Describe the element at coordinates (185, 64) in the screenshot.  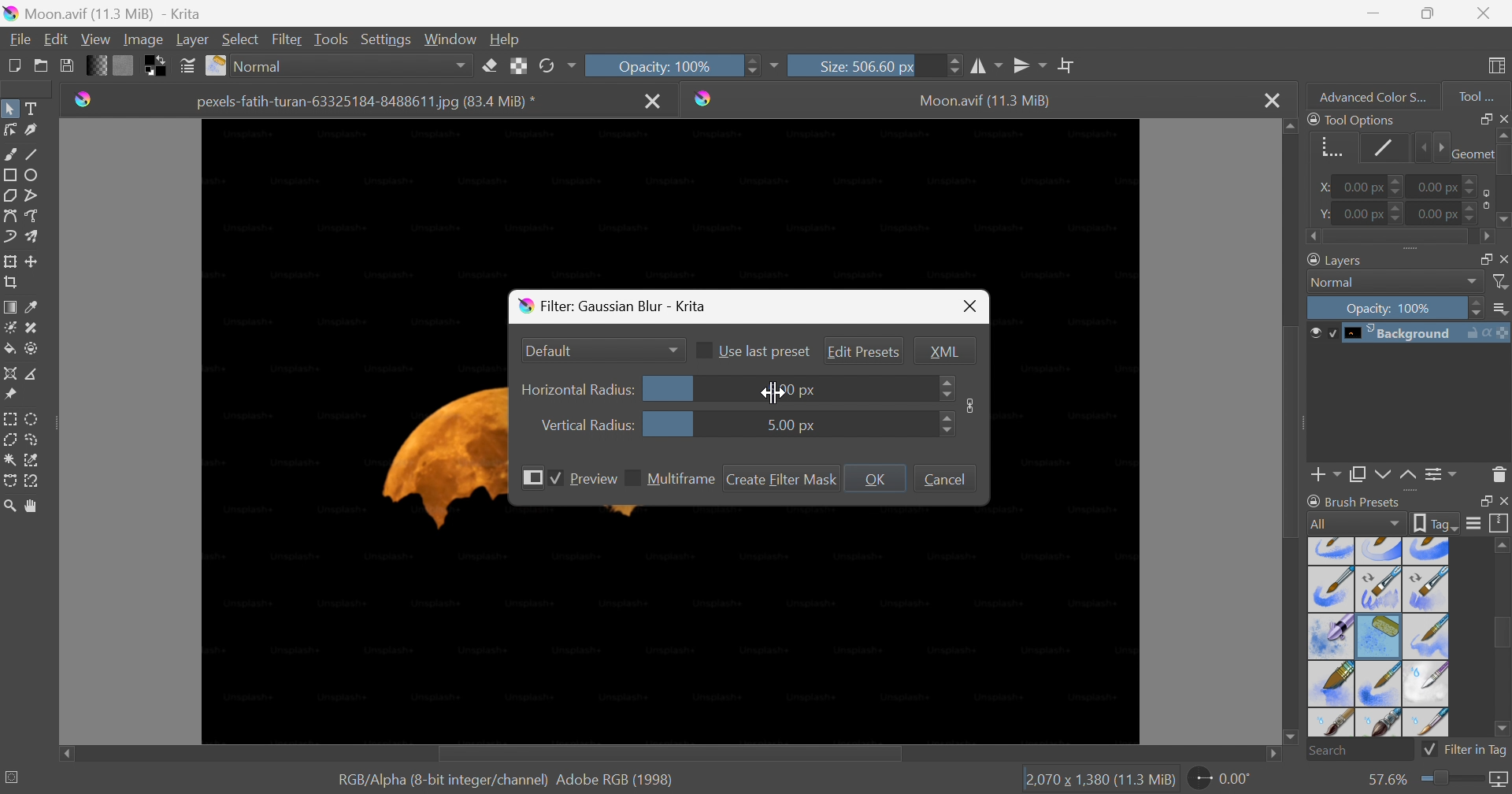
I see `Edit brush settings` at that location.